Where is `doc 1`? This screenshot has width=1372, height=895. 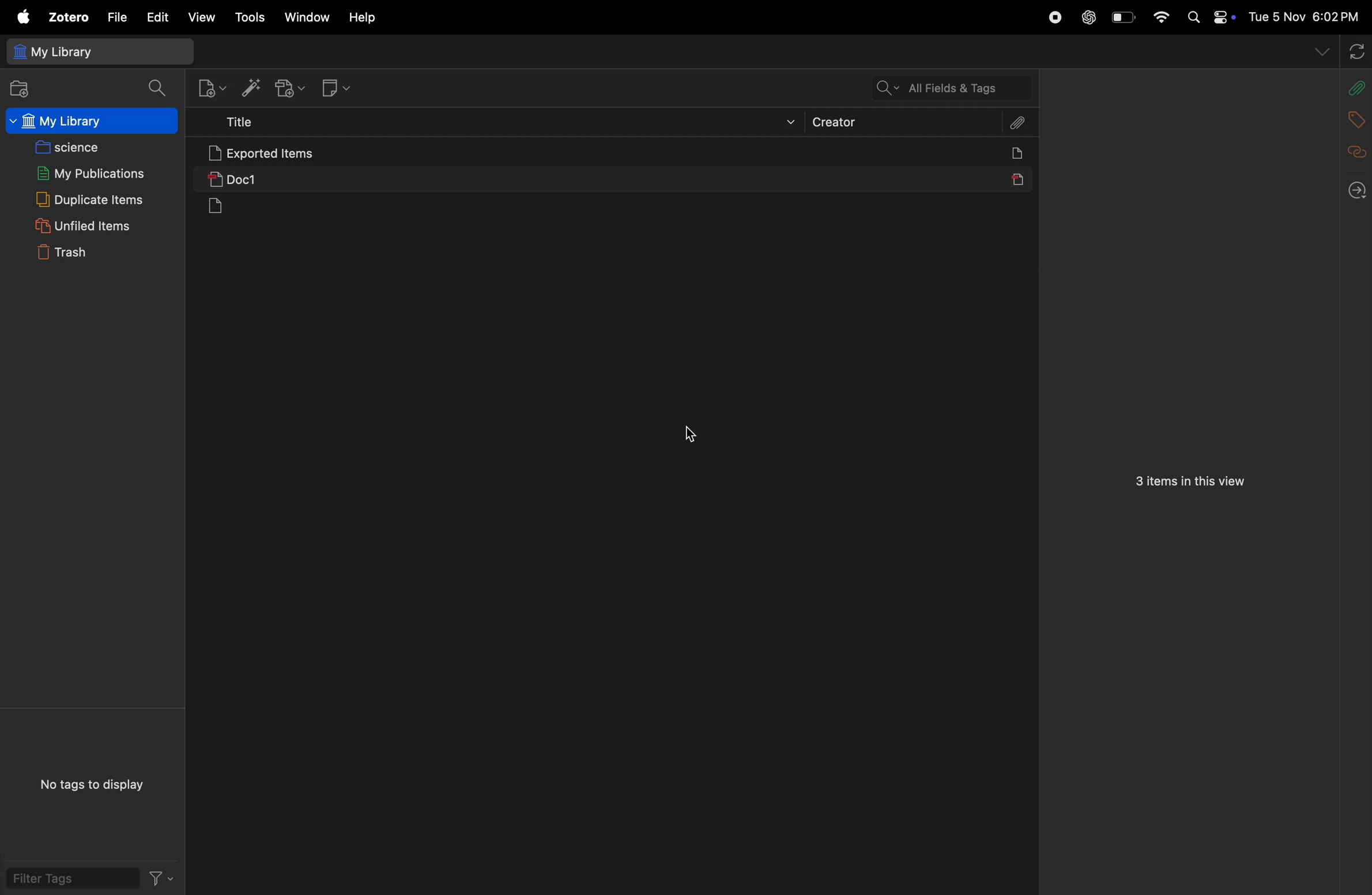
doc 1 is located at coordinates (330, 179).